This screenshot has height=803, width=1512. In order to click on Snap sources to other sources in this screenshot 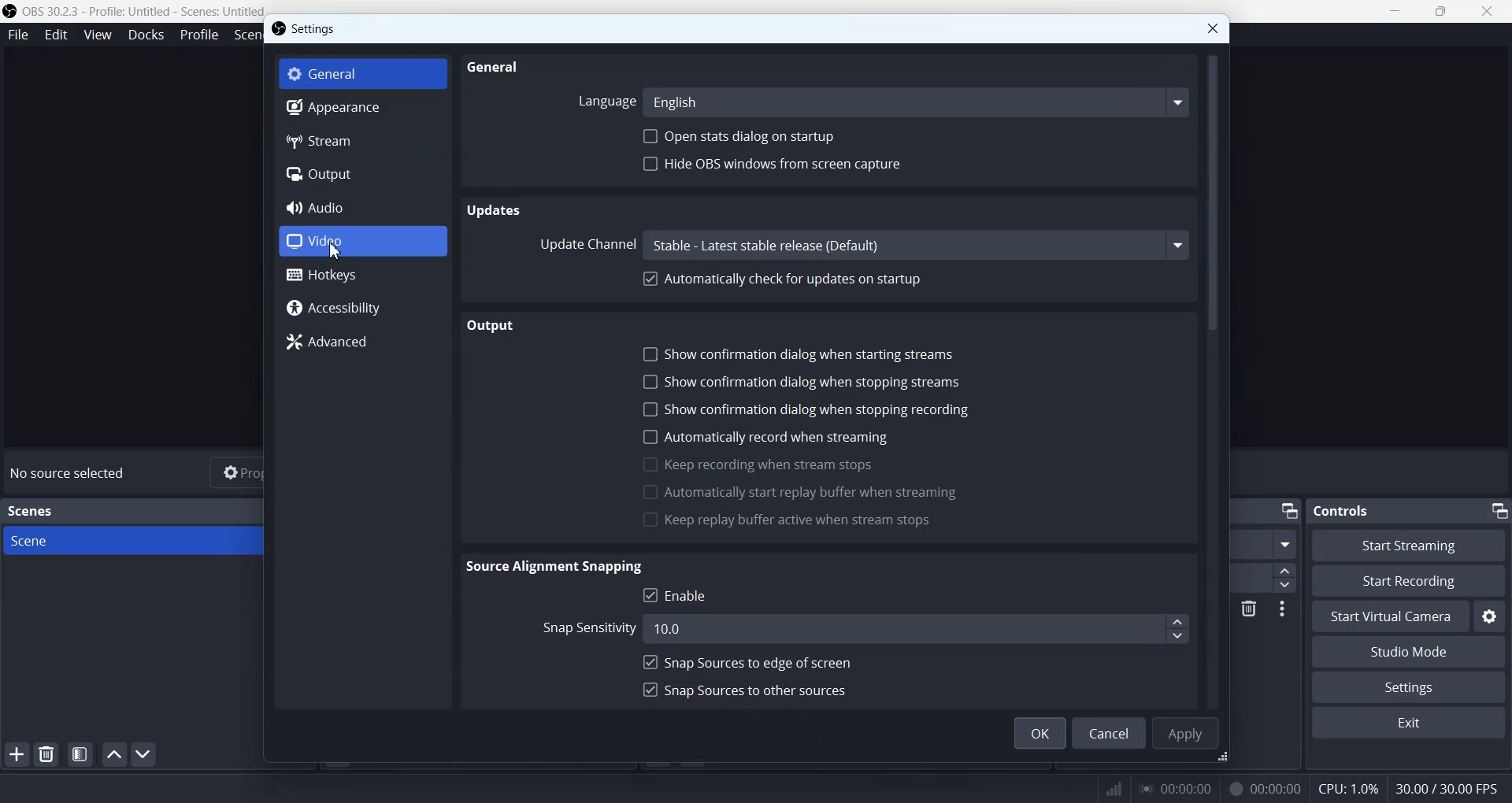, I will do `click(744, 691)`.